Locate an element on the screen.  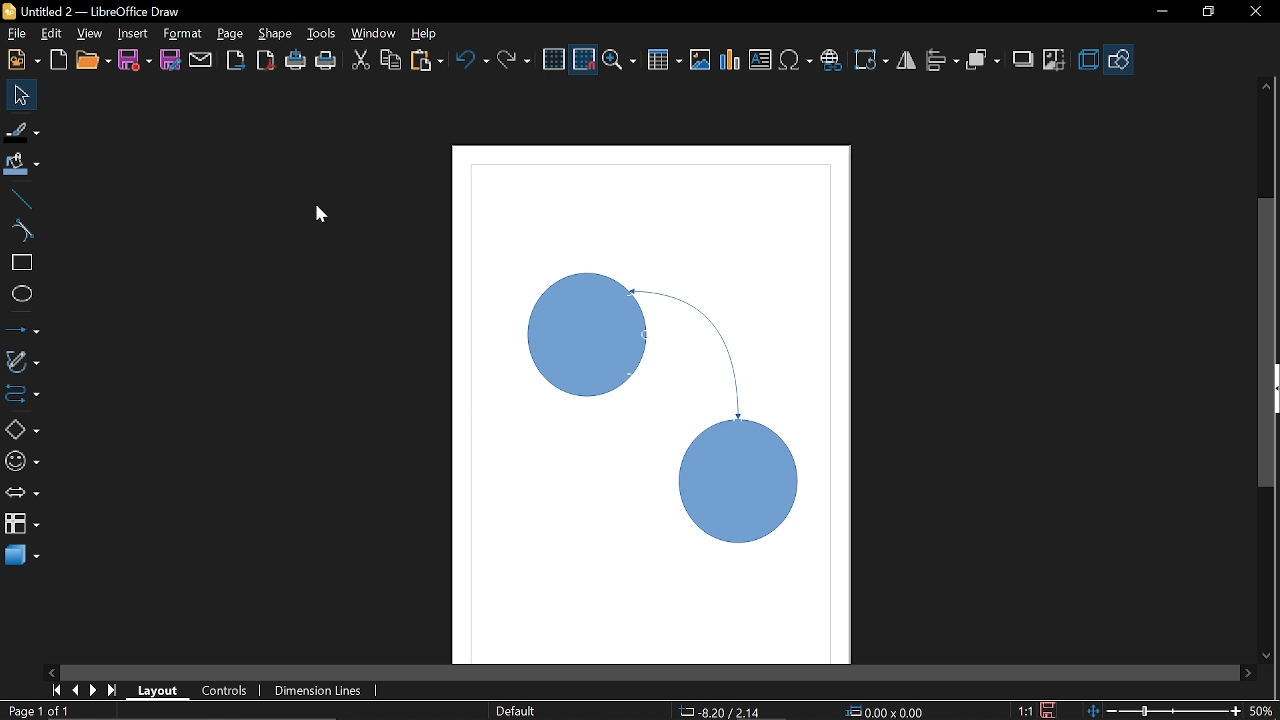
Save is located at coordinates (1051, 709).